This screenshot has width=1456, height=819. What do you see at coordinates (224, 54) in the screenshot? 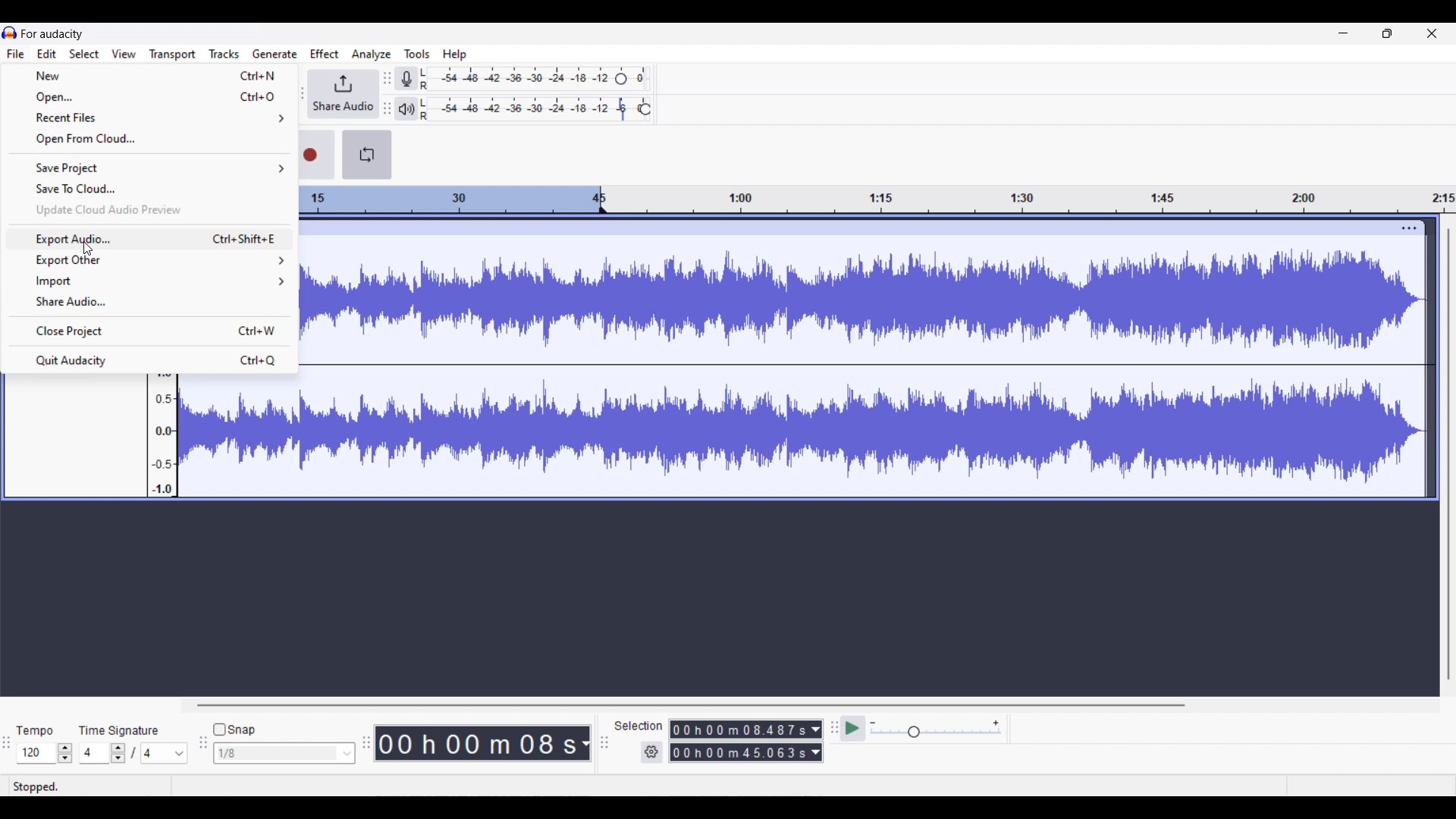
I see `Tracks menu` at bounding box center [224, 54].